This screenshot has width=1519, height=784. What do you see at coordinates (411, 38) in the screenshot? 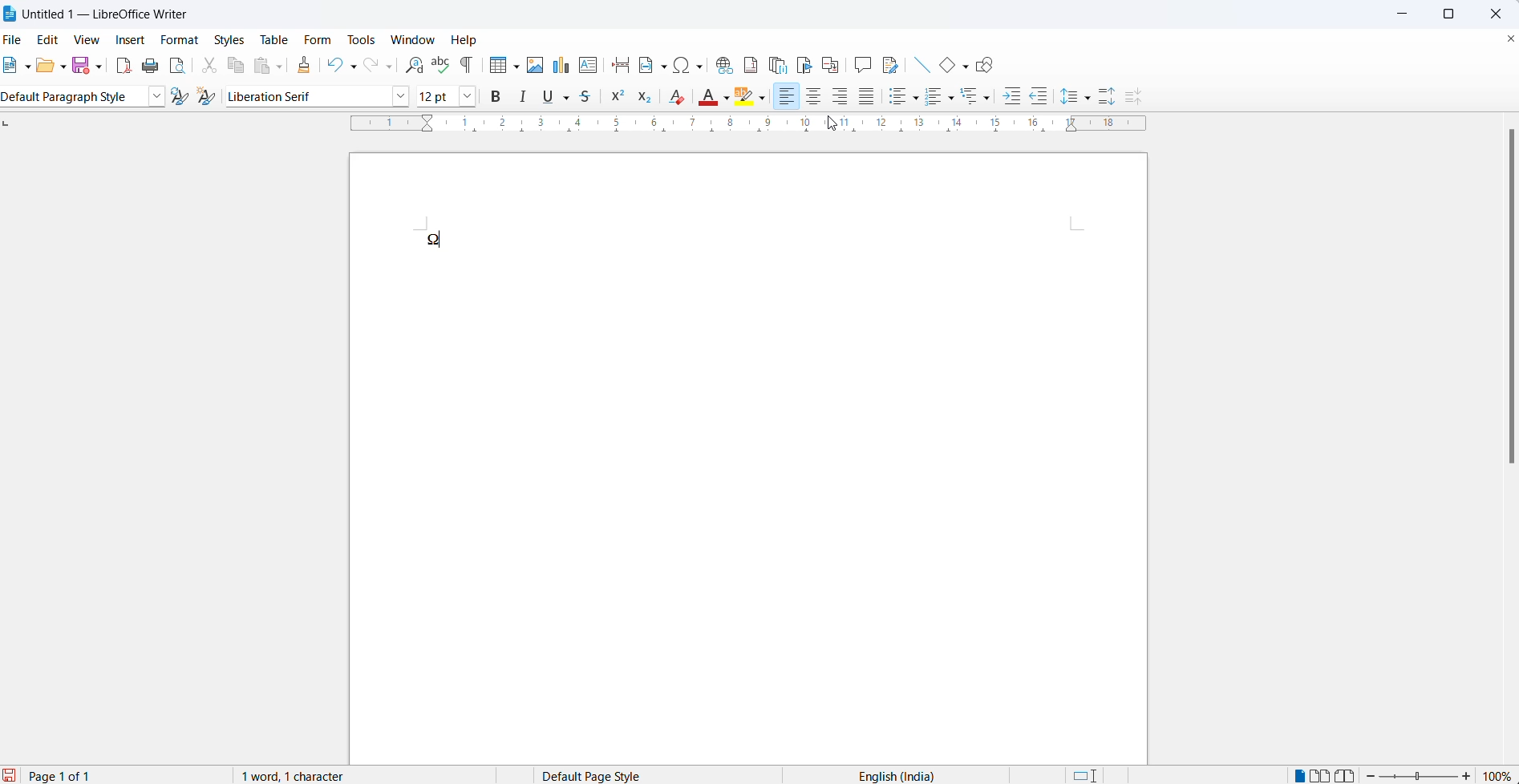
I see `window` at bounding box center [411, 38].